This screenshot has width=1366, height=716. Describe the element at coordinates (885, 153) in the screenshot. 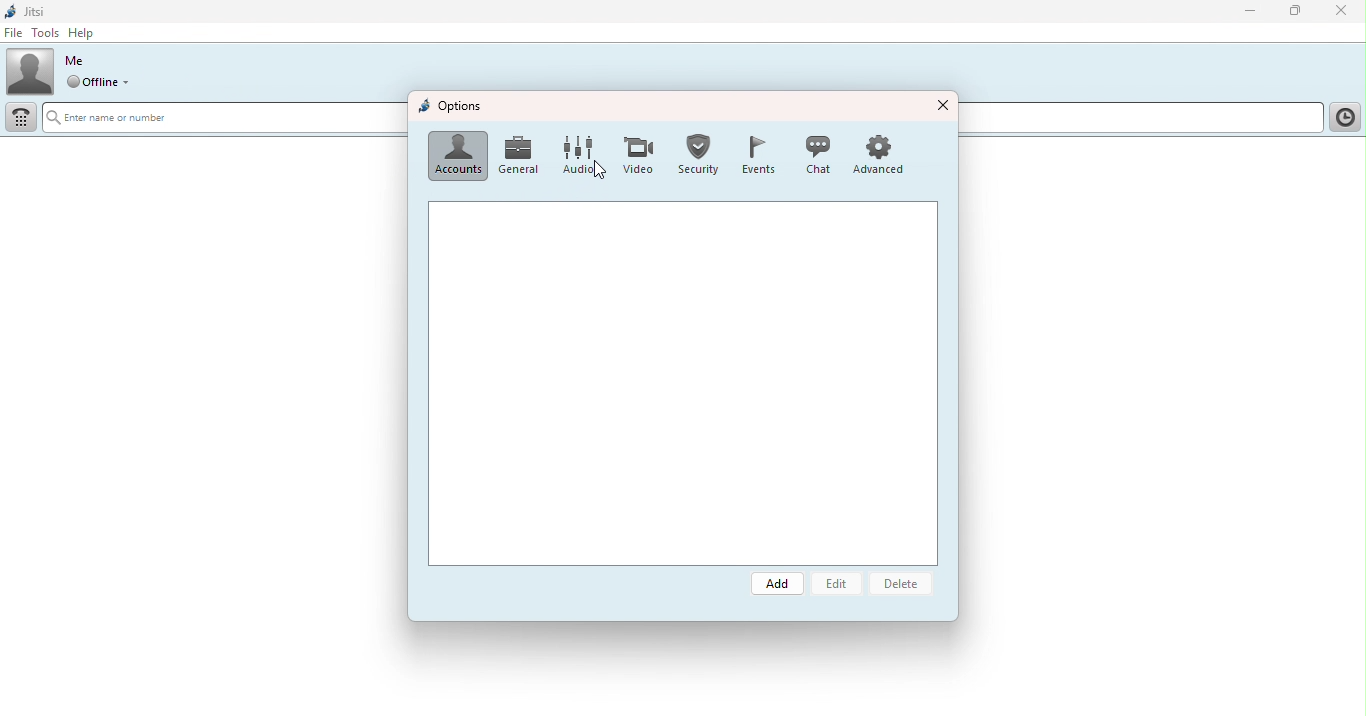

I see `Advanced` at that location.